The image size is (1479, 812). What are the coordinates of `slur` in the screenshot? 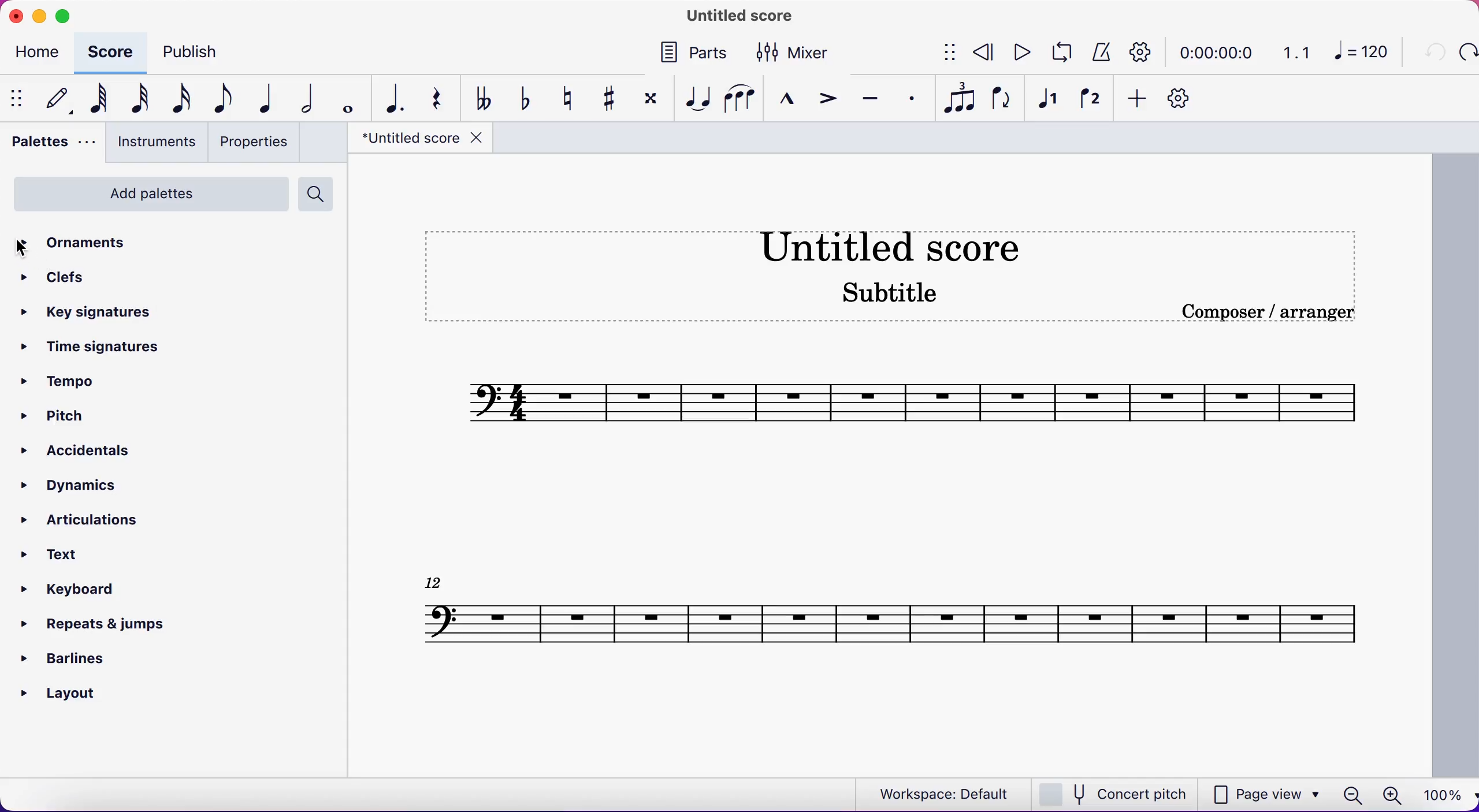 It's located at (739, 99).